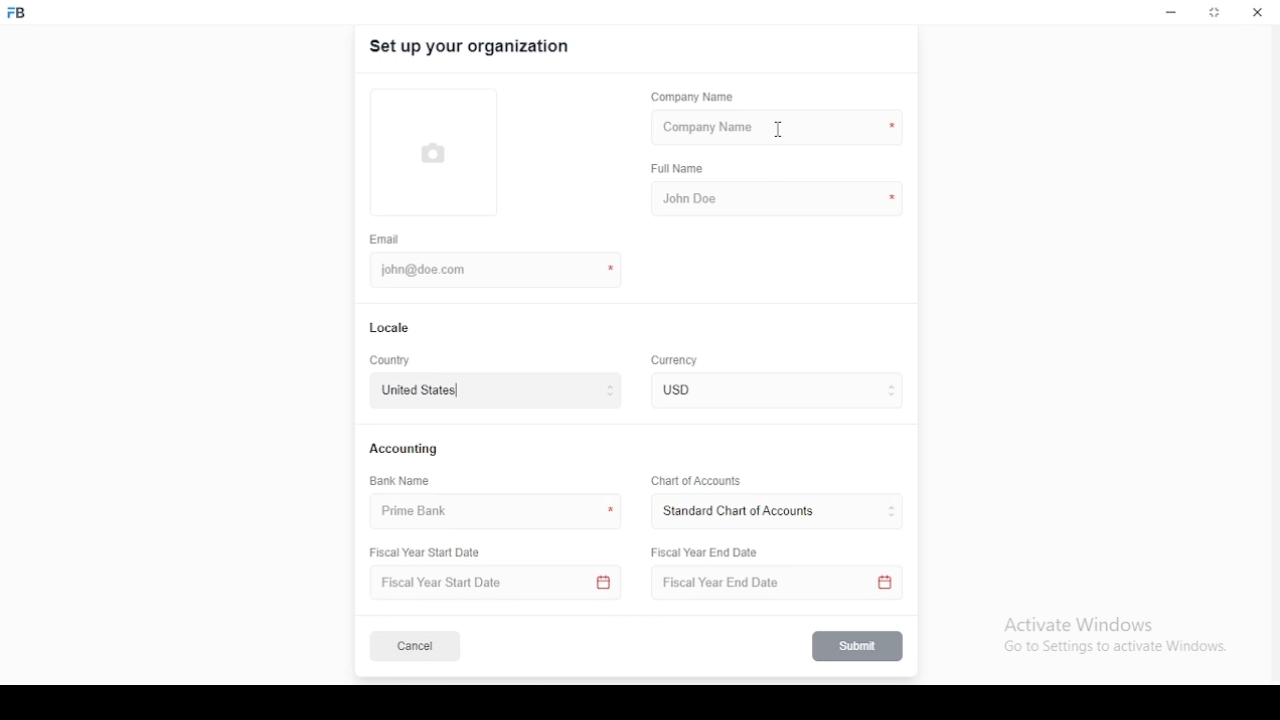 The image size is (1280, 720). What do you see at coordinates (418, 392) in the screenshot?
I see `united states` at bounding box center [418, 392].